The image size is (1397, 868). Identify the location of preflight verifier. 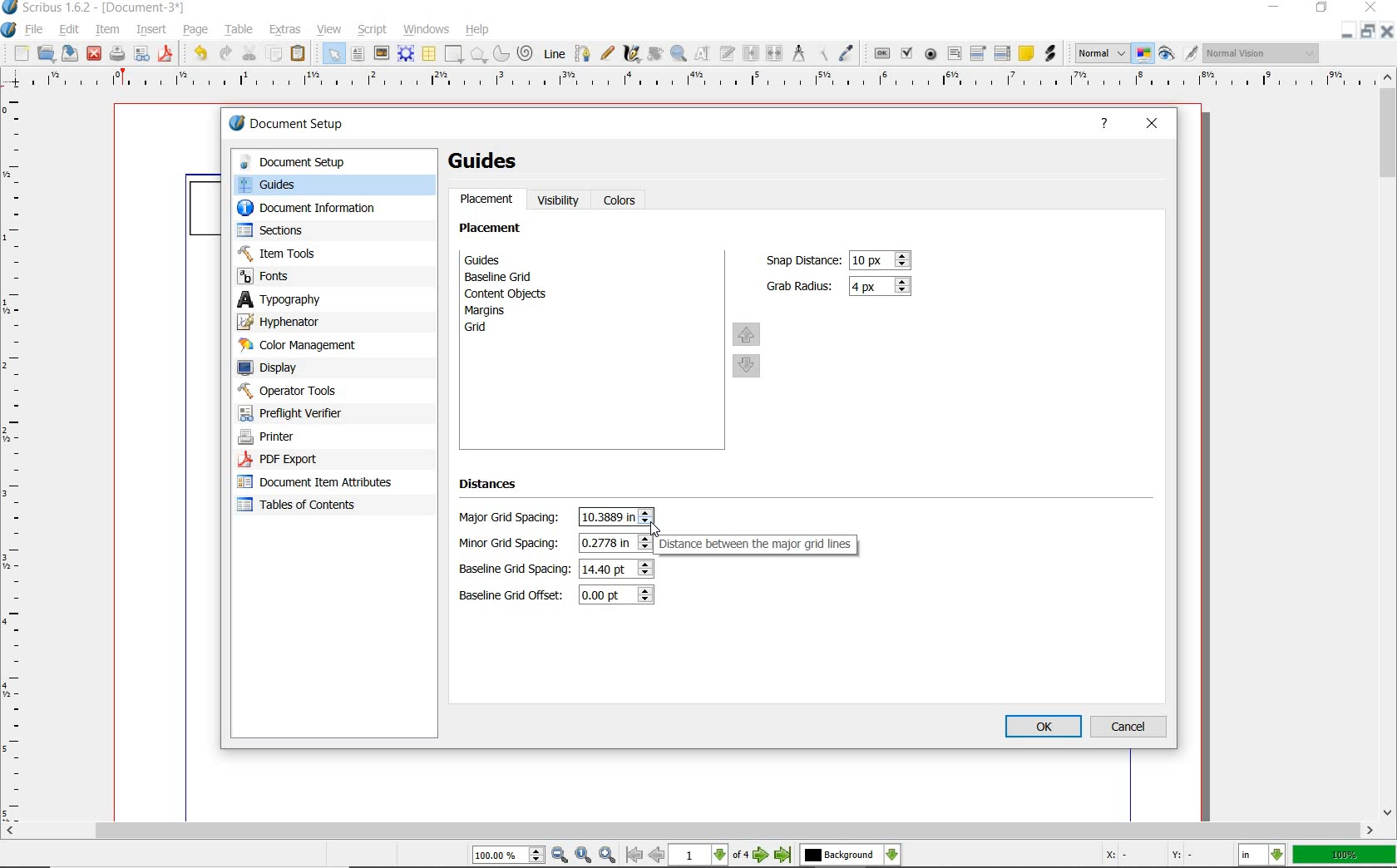
(142, 55).